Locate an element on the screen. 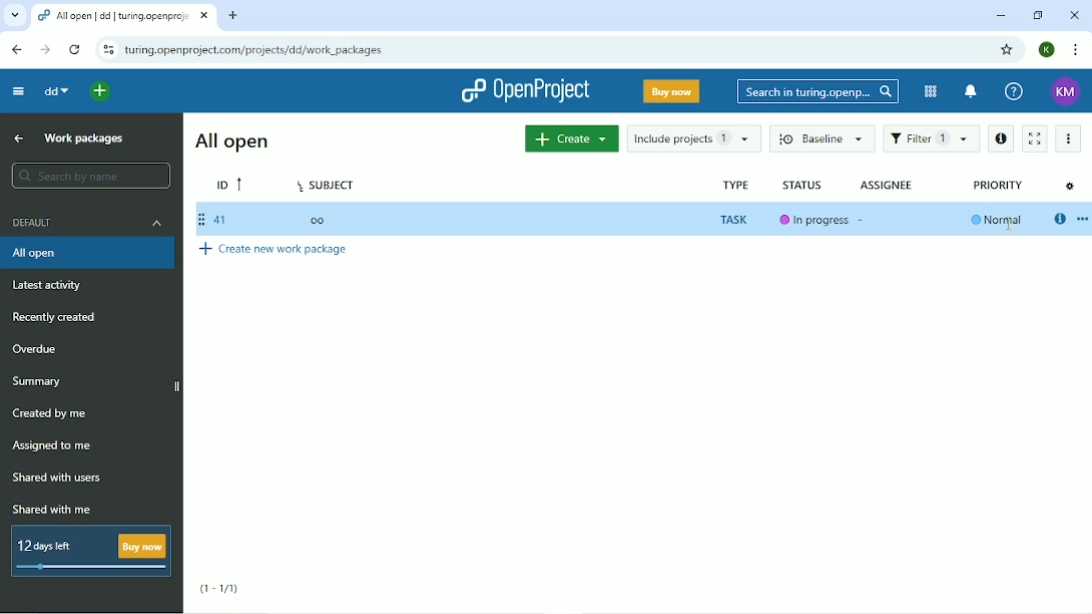 This screenshot has height=614, width=1092. Work packages is located at coordinates (87, 138).